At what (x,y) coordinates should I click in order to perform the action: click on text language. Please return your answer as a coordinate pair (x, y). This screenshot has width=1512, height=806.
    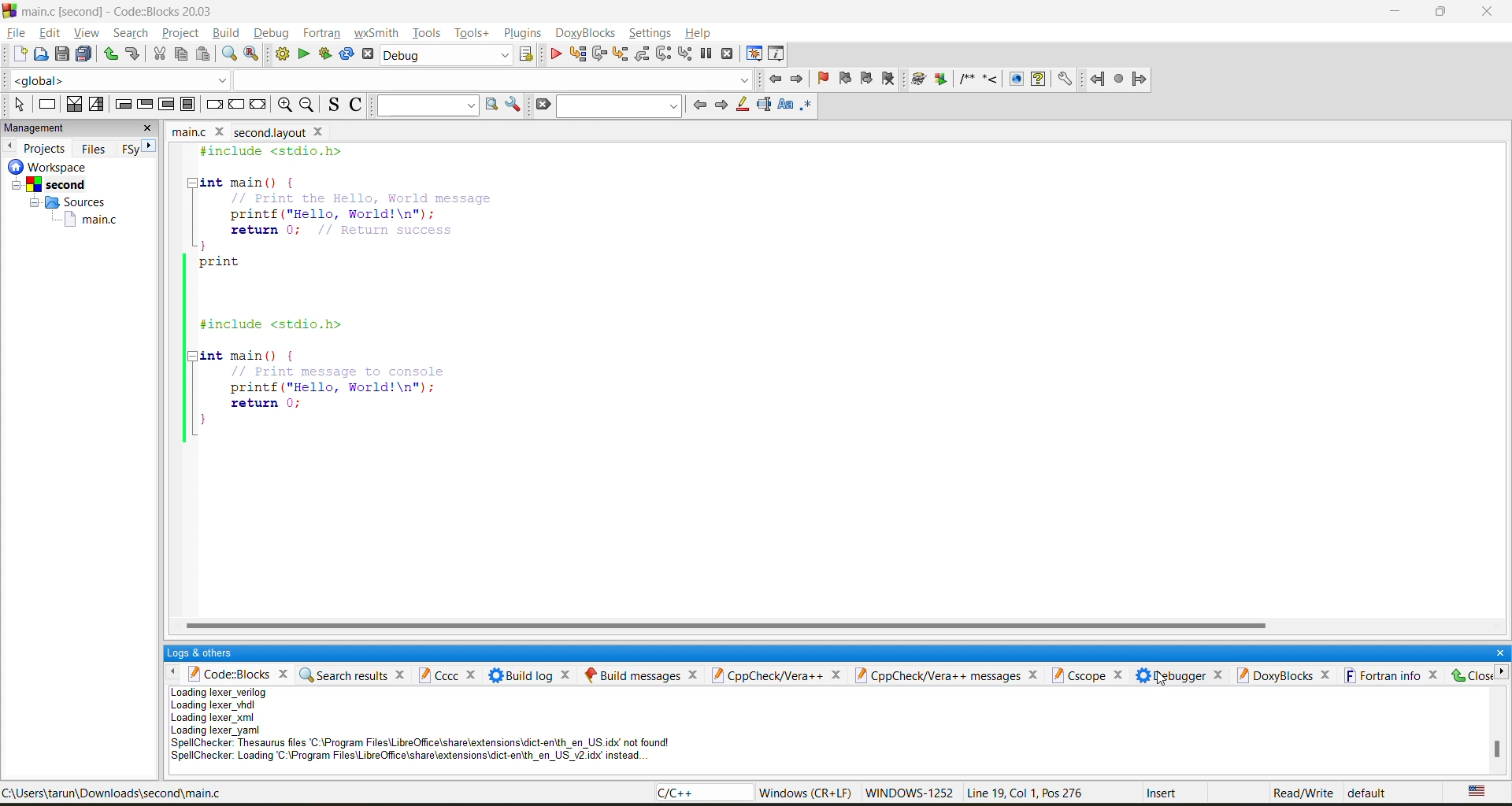
    Looking at the image, I should click on (1480, 794).